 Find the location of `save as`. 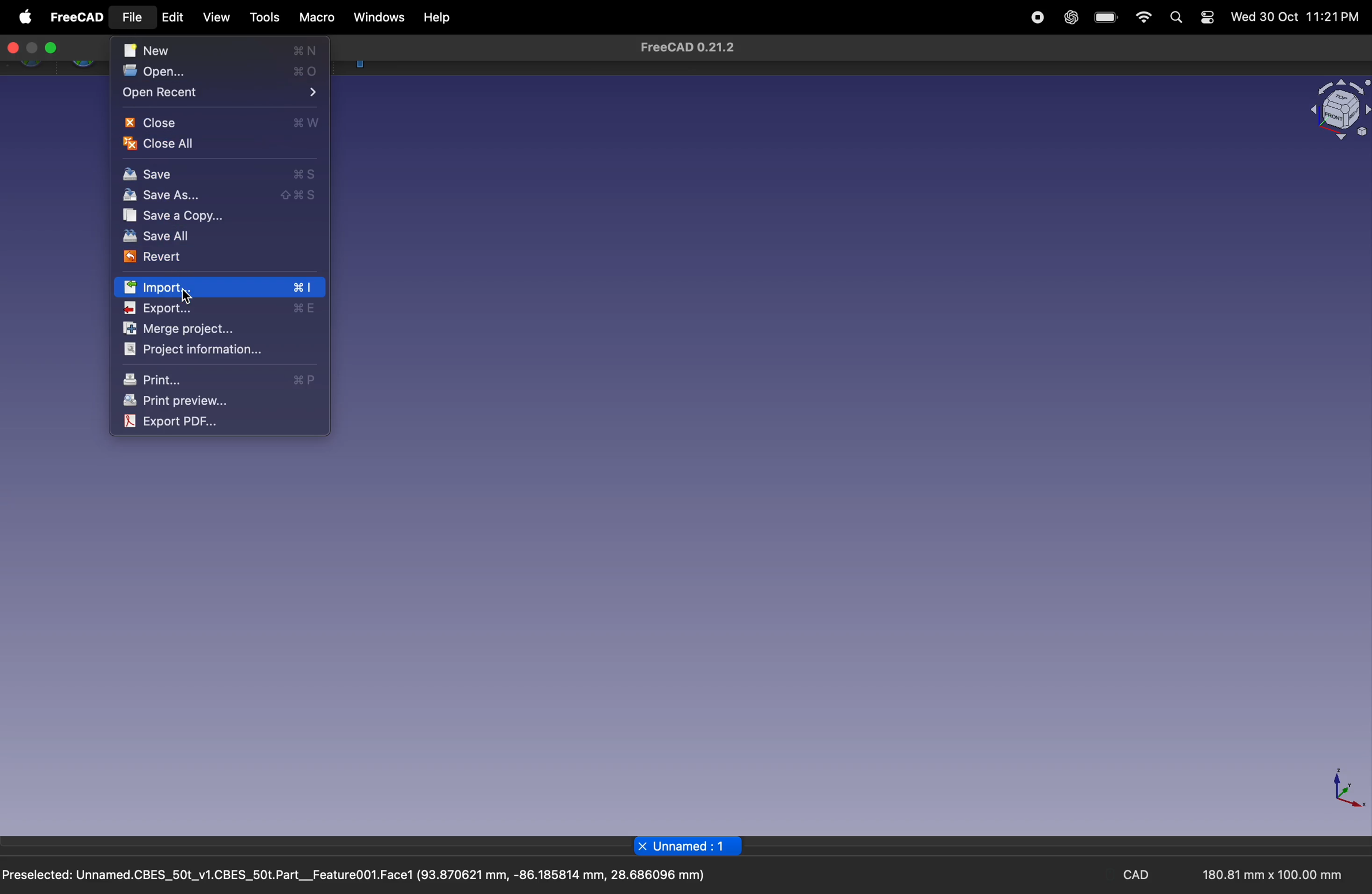

save as is located at coordinates (216, 195).